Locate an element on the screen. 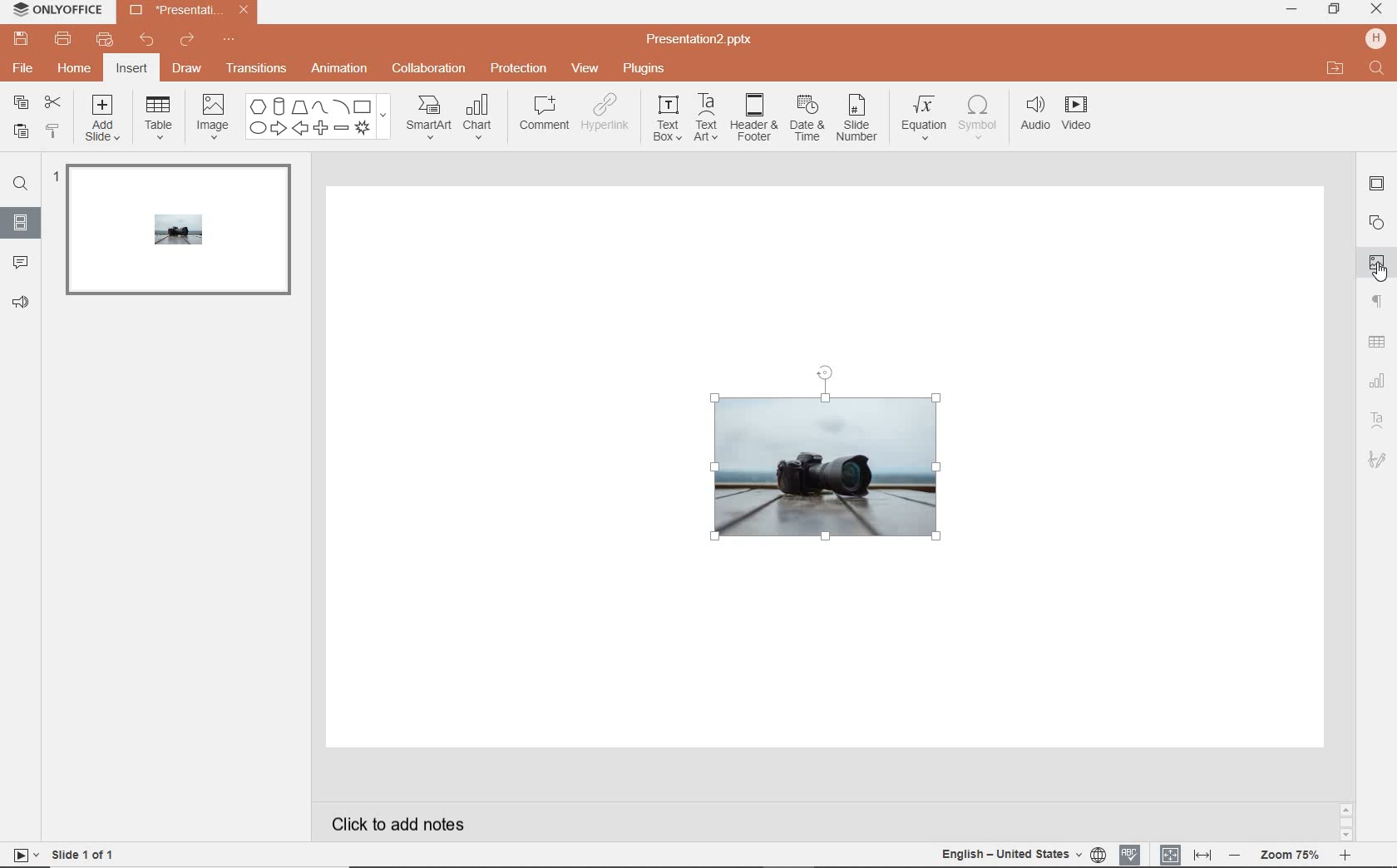 The height and width of the screenshot is (868, 1397). text language is located at coordinates (1025, 855).